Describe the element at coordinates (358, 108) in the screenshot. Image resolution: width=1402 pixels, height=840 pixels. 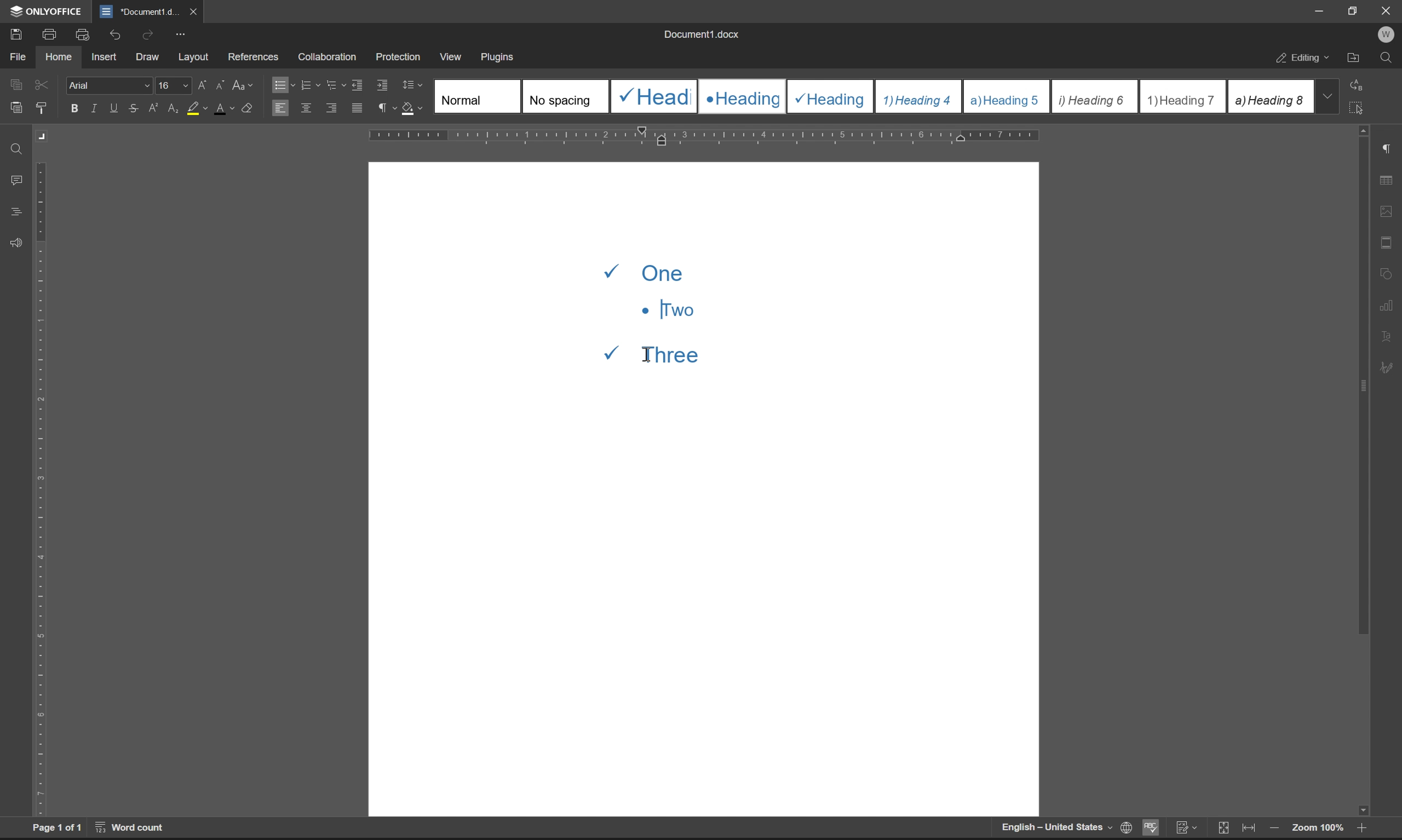
I see `justified` at that location.